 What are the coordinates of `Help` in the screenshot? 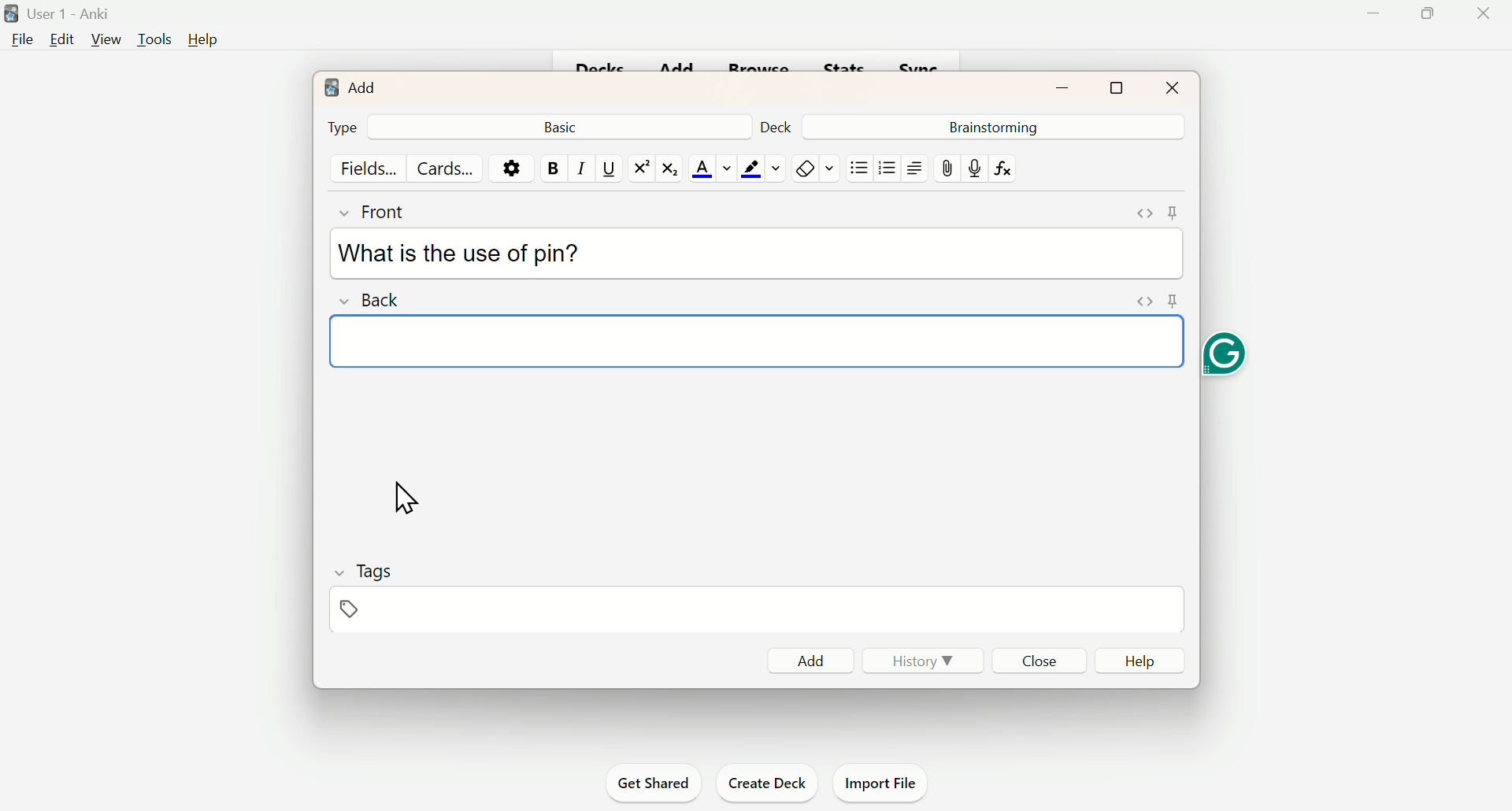 It's located at (1147, 661).